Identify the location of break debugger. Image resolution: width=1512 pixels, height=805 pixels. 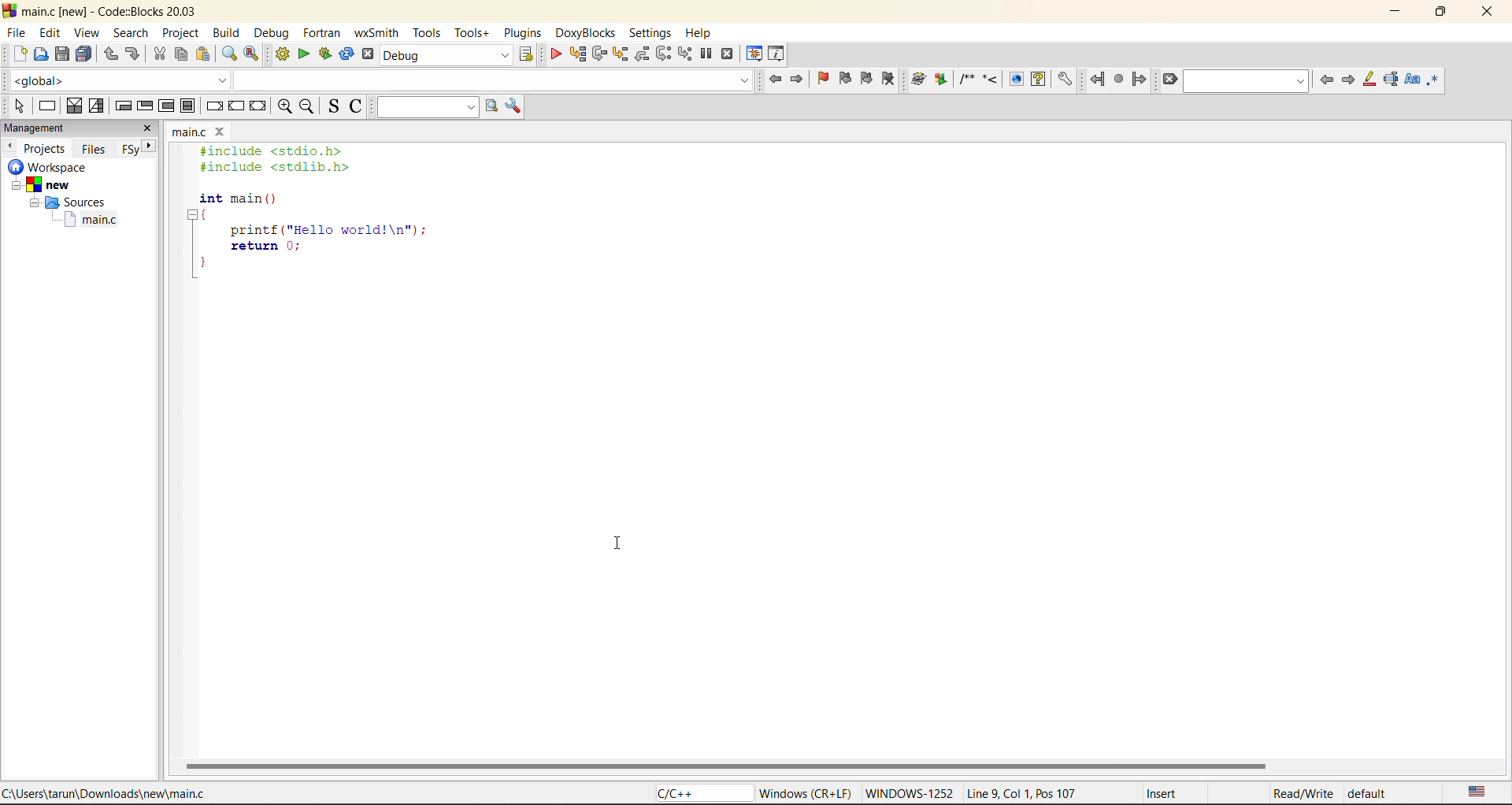
(707, 54).